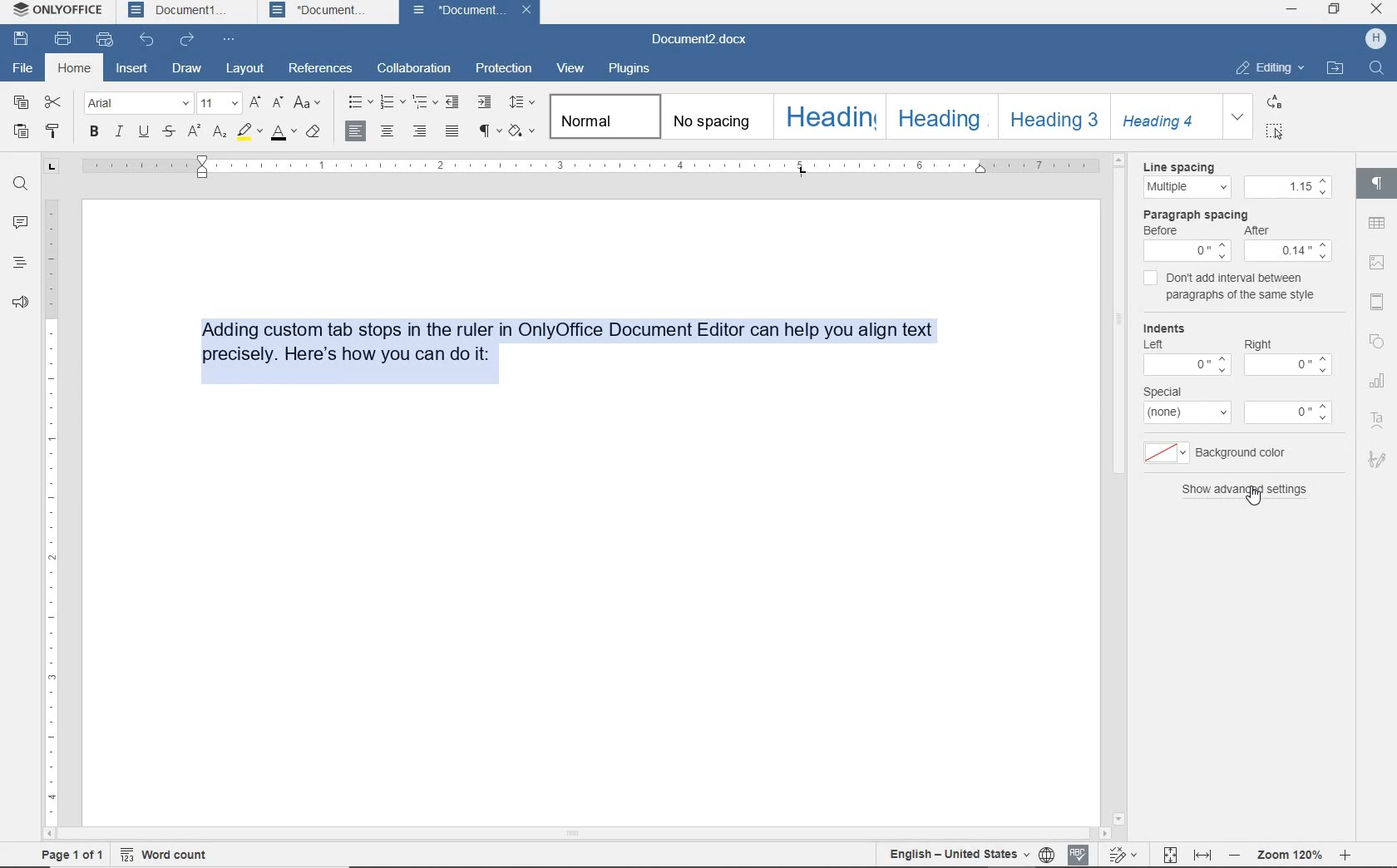 The height and width of the screenshot is (868, 1397). What do you see at coordinates (105, 40) in the screenshot?
I see `quick print` at bounding box center [105, 40].